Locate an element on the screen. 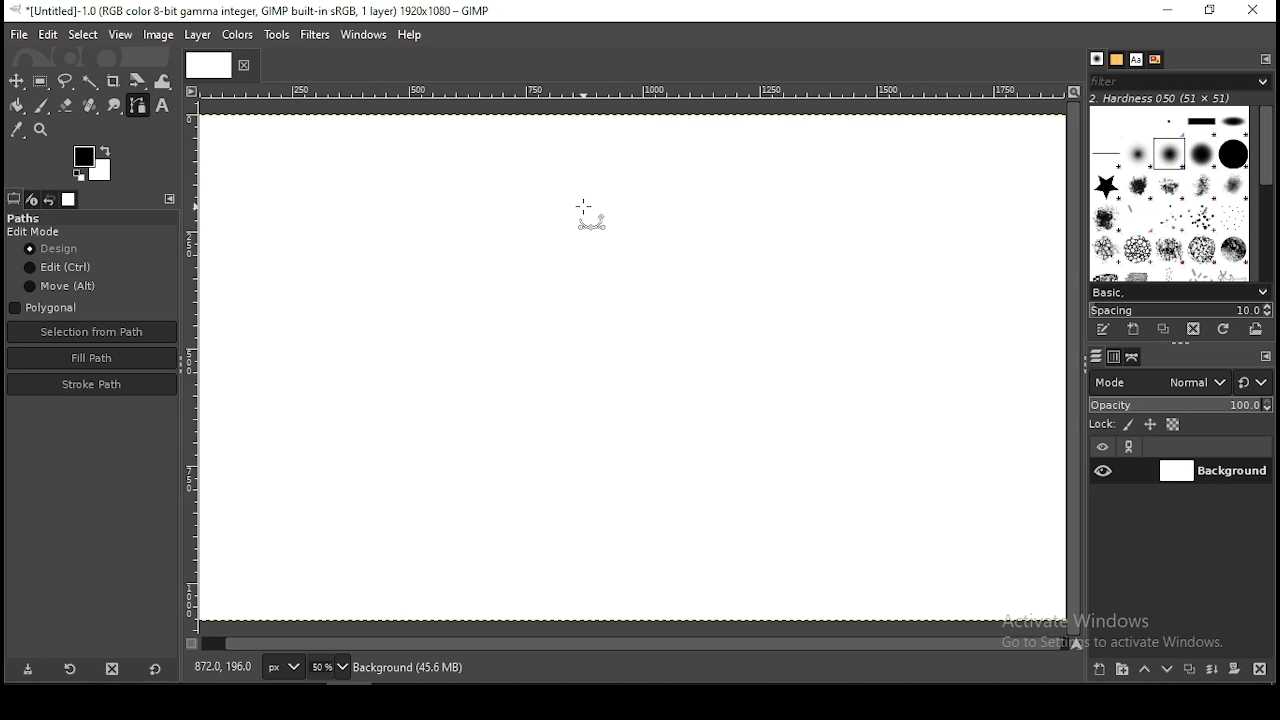 Image resolution: width=1280 pixels, height=720 pixels. open brush as image is located at coordinates (1255, 331).